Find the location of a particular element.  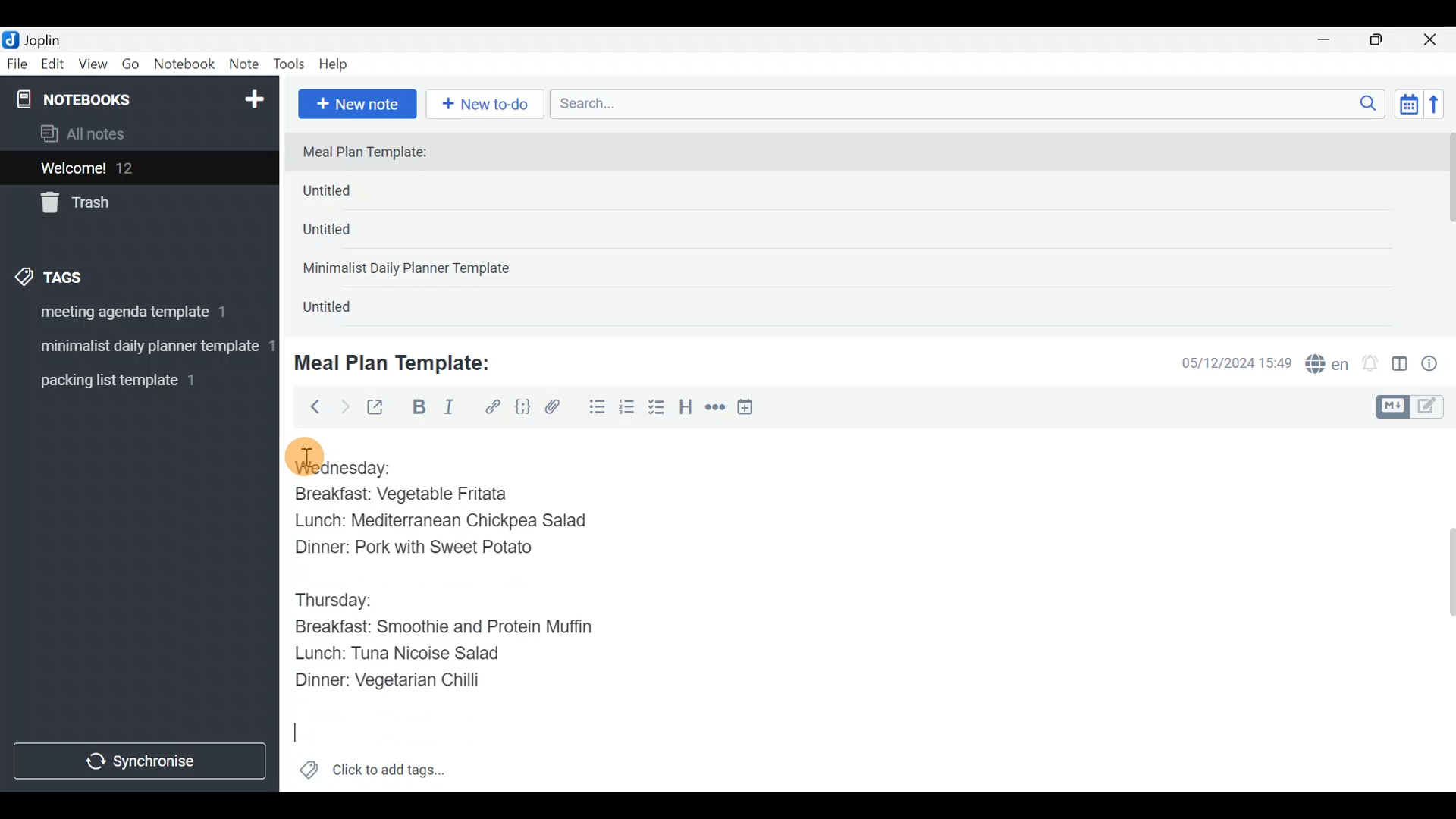

Meal Plan Template: is located at coordinates (402, 361).